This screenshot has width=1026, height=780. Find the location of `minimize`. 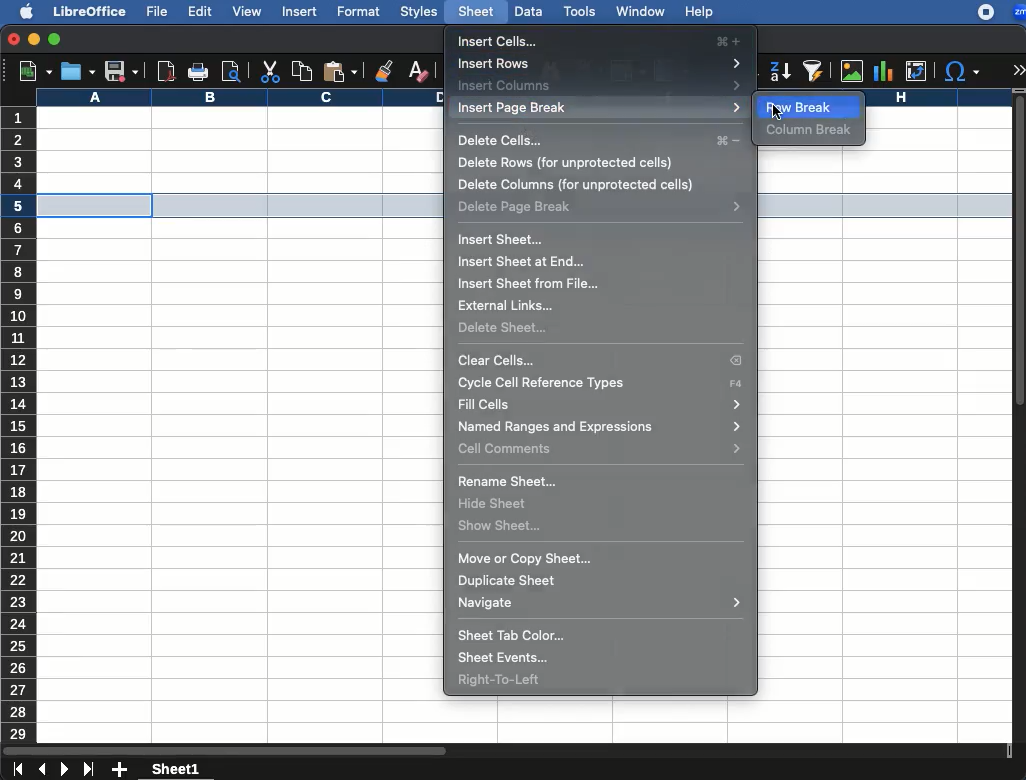

minimize is located at coordinates (33, 39).